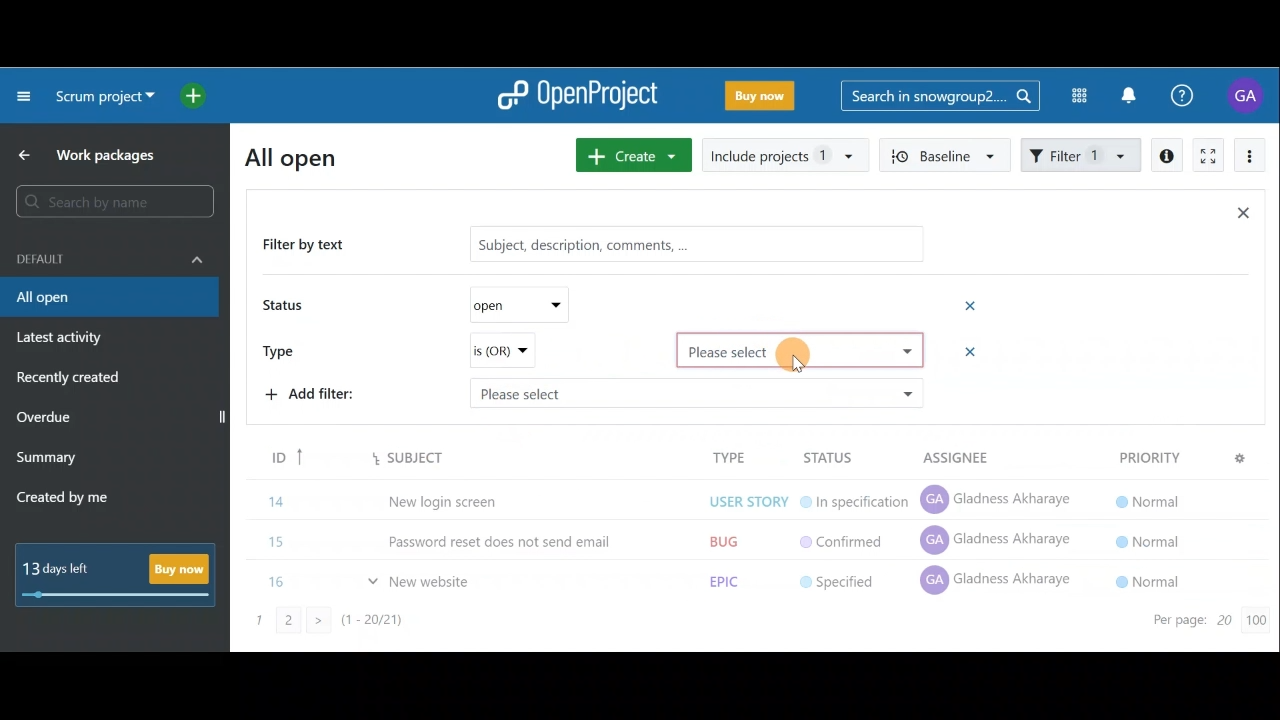 The image size is (1280, 720). I want to click on Item 15, so click(727, 536).